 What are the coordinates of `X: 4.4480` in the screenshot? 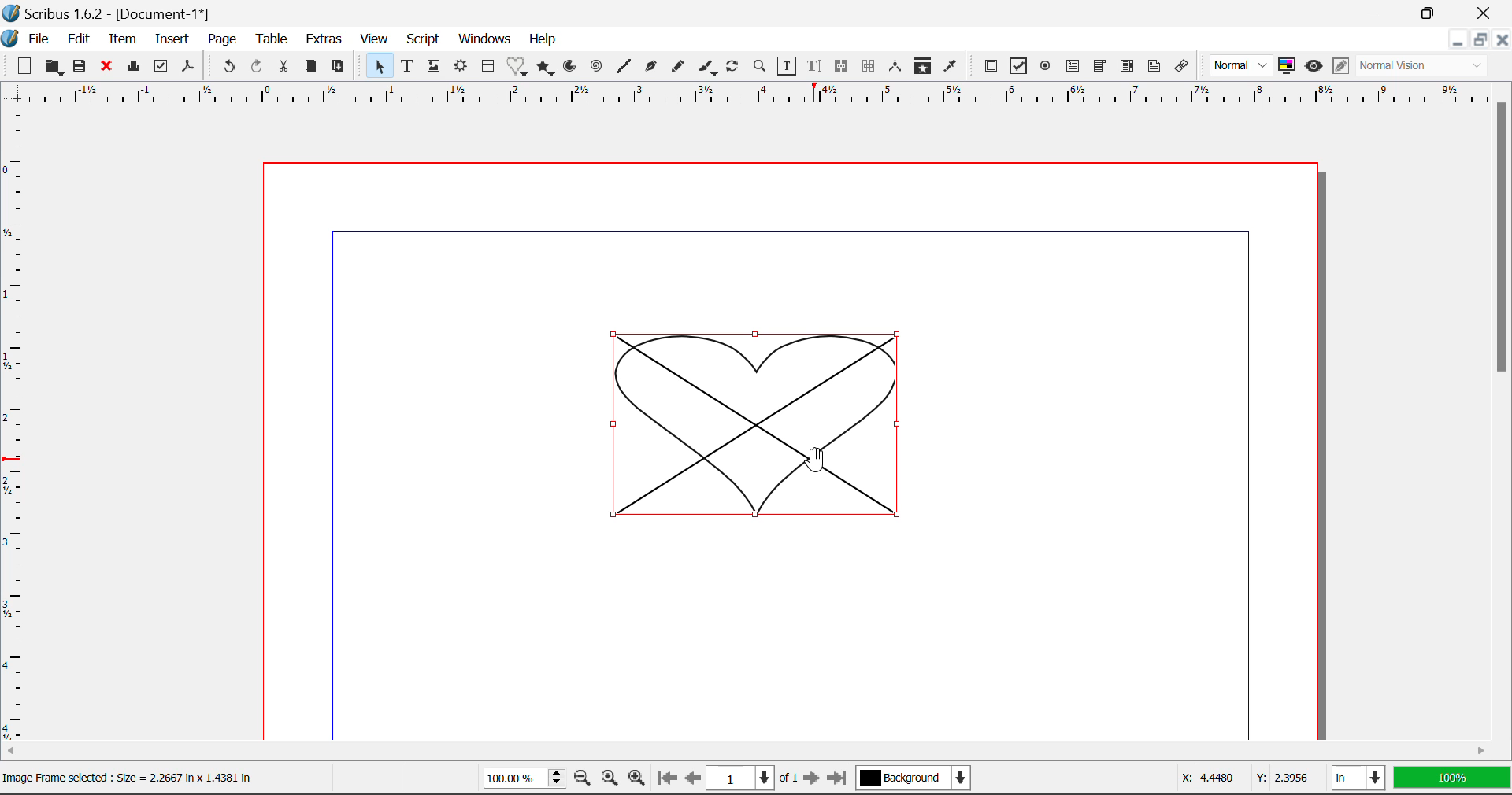 It's located at (1205, 775).